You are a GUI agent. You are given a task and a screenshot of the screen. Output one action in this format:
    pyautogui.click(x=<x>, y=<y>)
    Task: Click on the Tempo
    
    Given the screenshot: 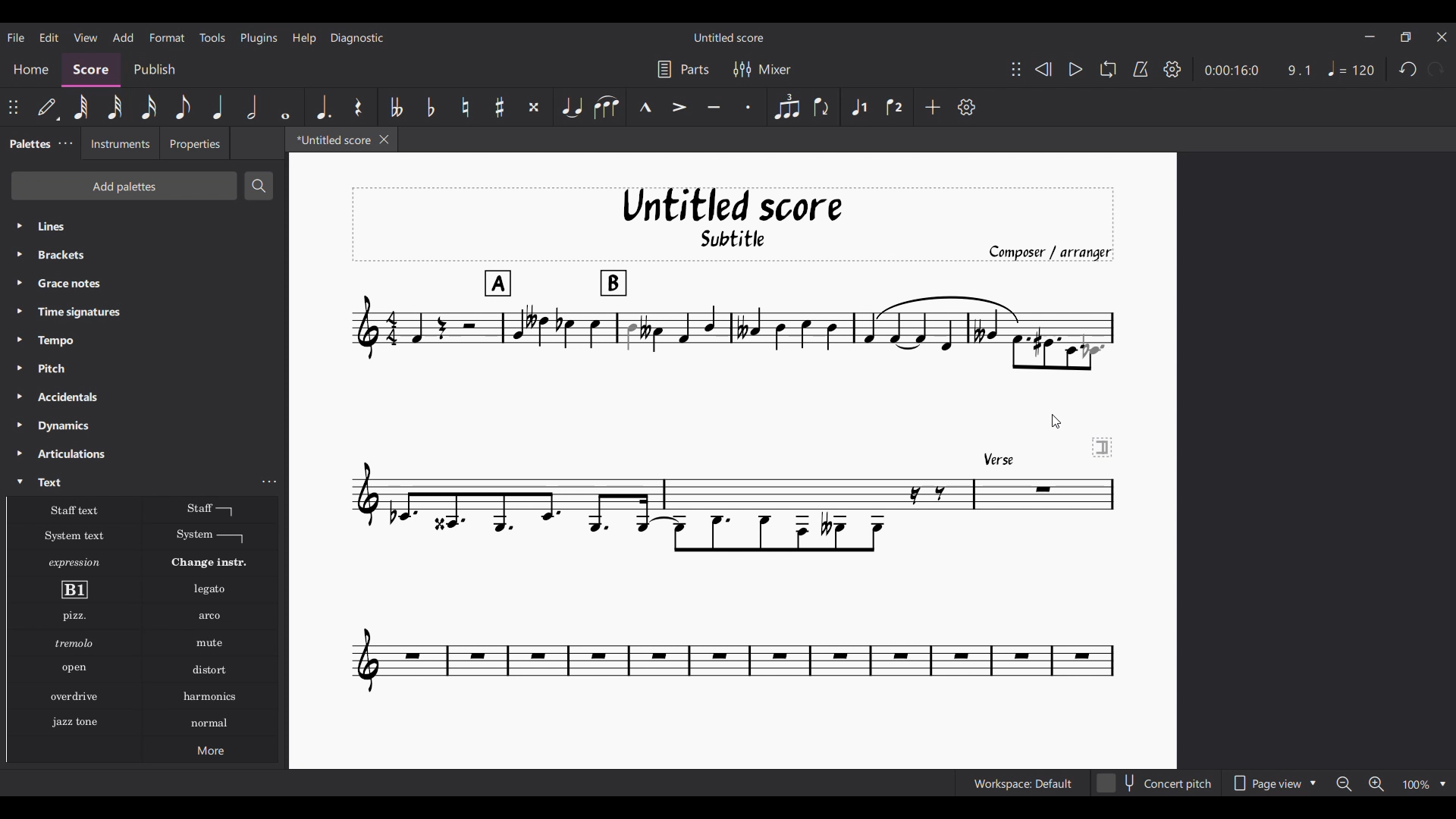 What is the action you would take?
    pyautogui.click(x=1351, y=69)
    